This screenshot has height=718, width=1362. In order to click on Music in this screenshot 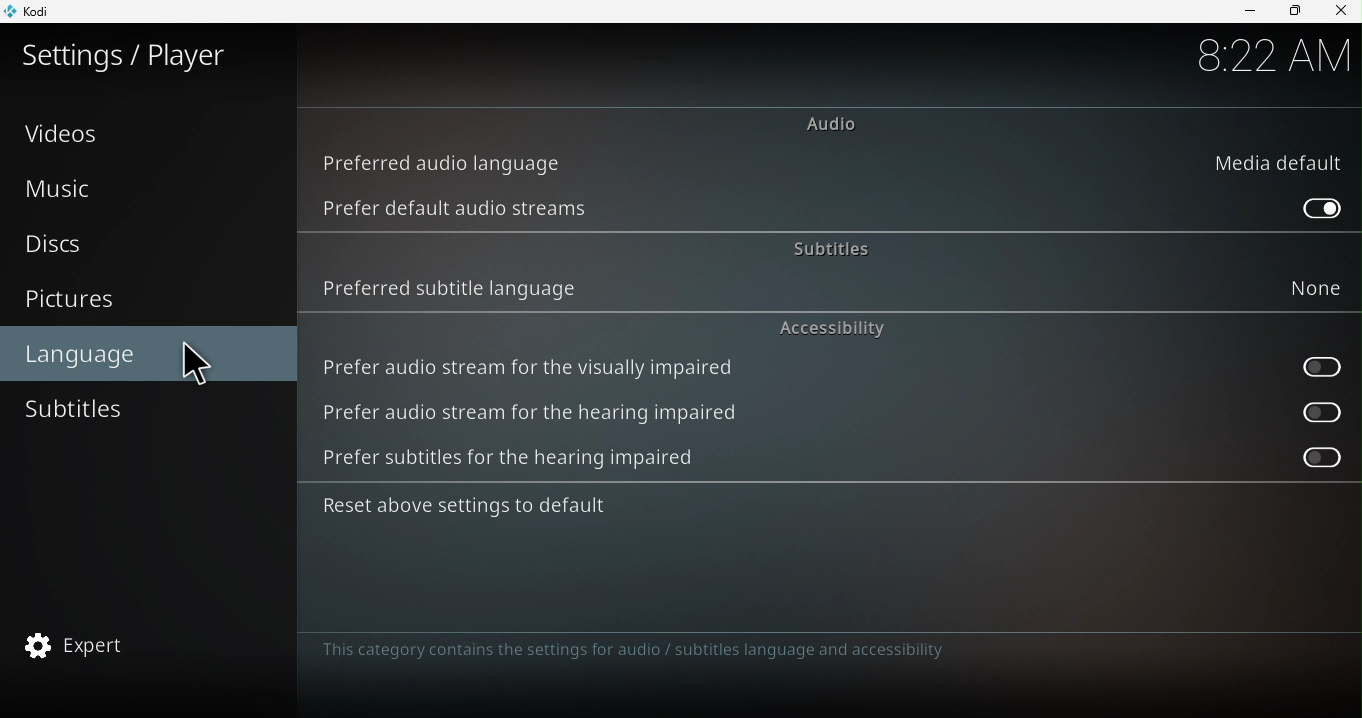, I will do `click(146, 188)`.